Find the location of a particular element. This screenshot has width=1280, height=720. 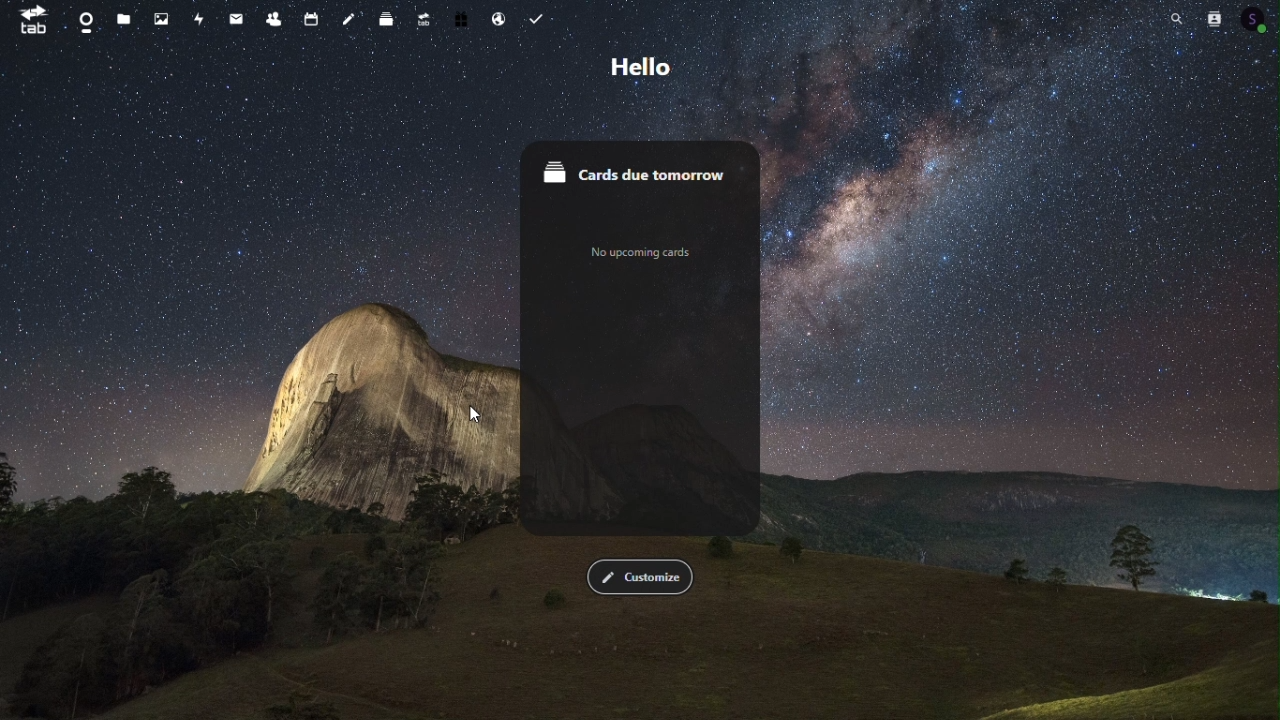

Files is located at coordinates (123, 21).